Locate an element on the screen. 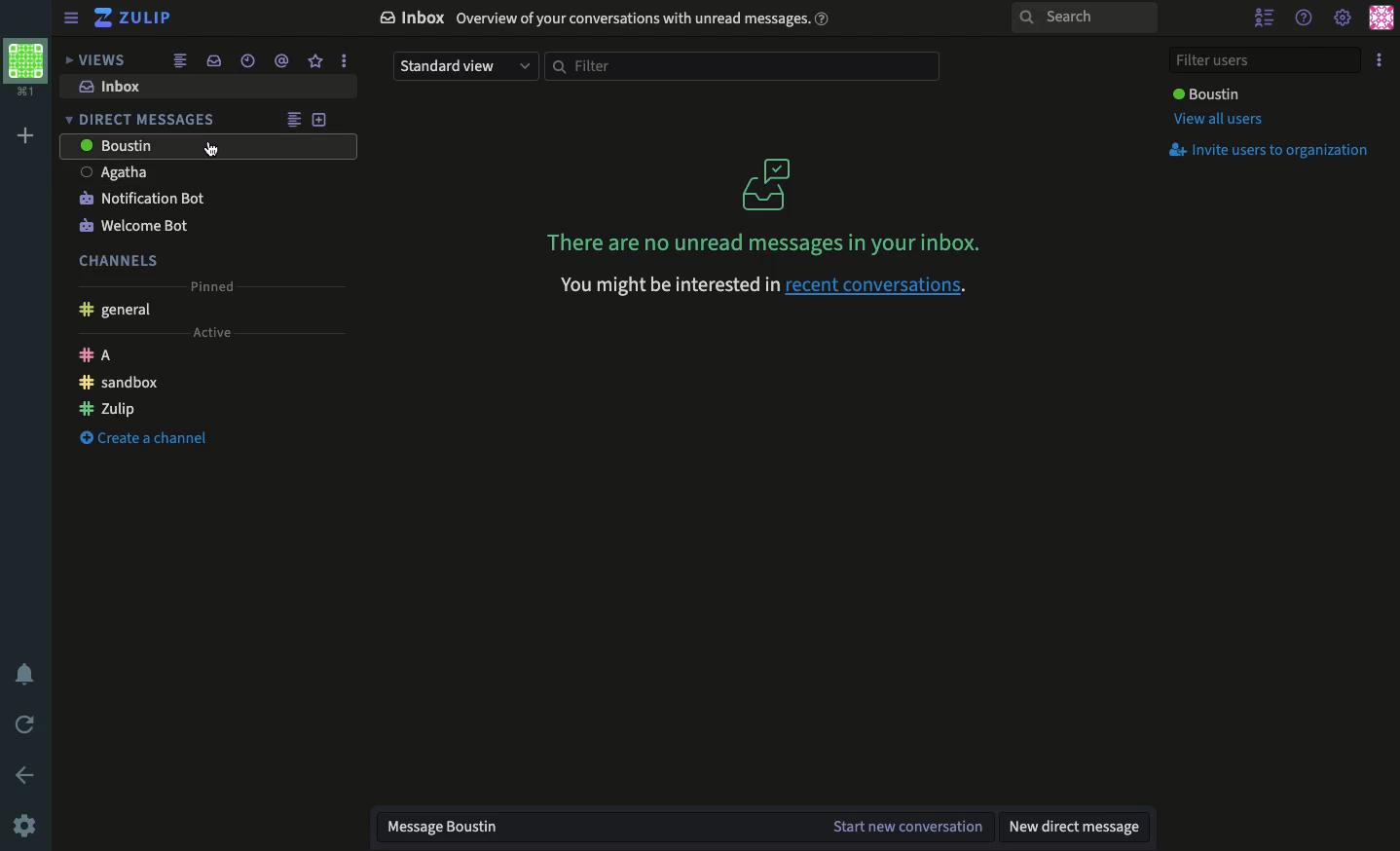 Image resolution: width=1400 pixels, height=851 pixels. User is located at coordinates (199, 171).